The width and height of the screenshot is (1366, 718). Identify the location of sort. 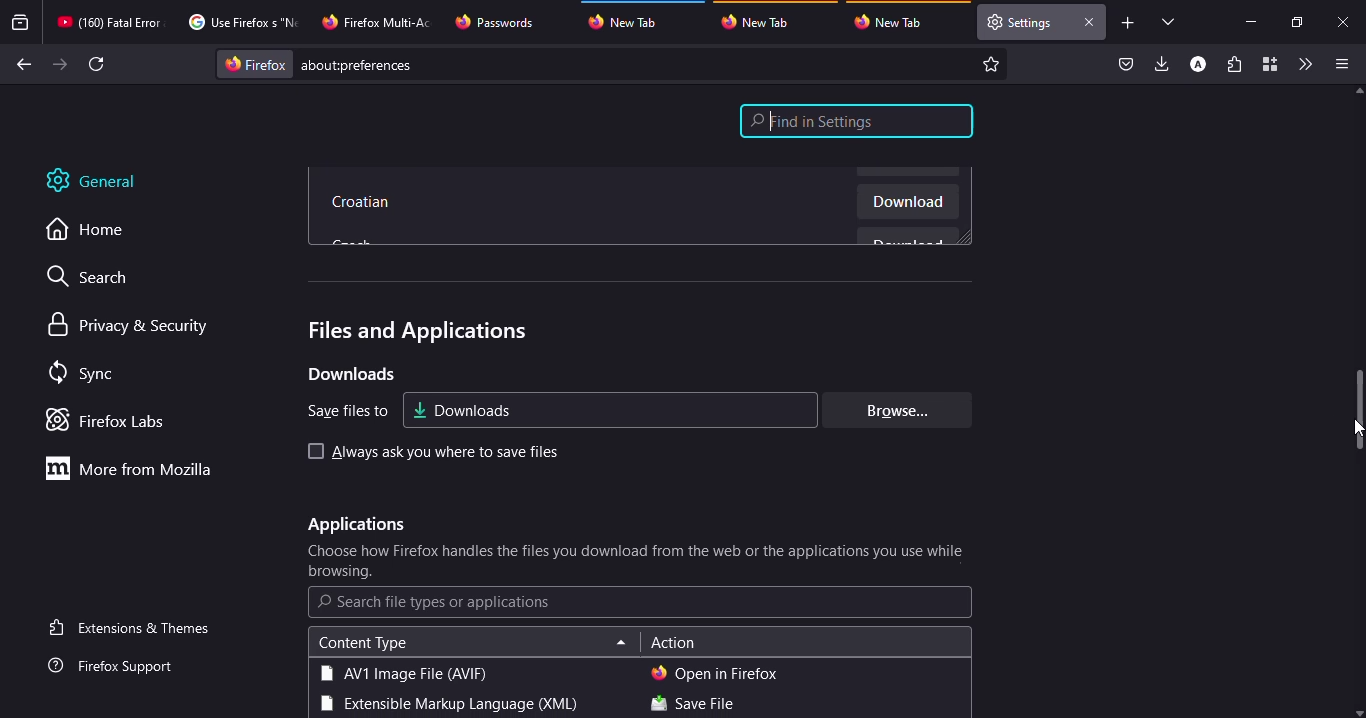
(621, 644).